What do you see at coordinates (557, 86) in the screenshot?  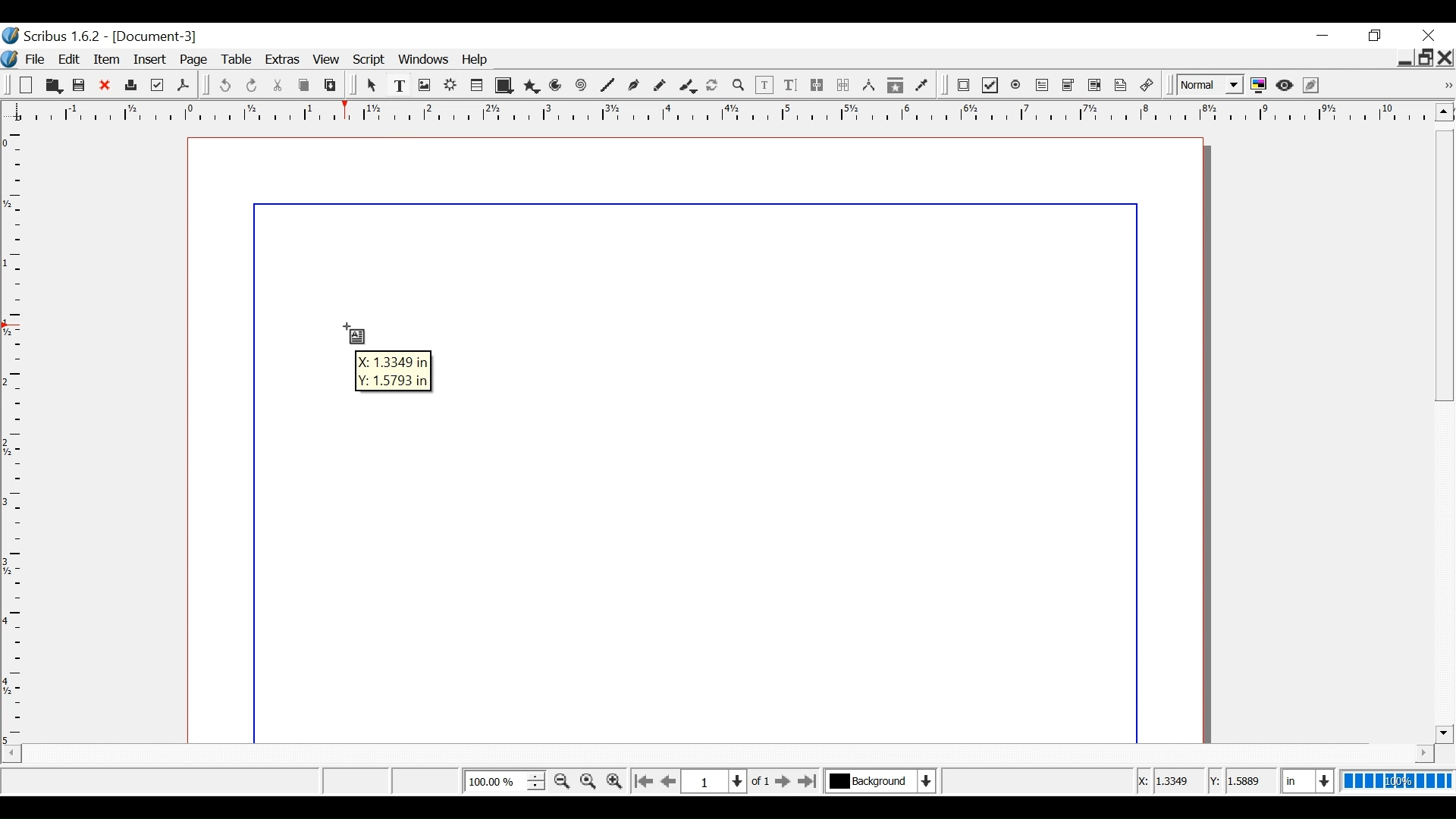 I see `Arc` at bounding box center [557, 86].